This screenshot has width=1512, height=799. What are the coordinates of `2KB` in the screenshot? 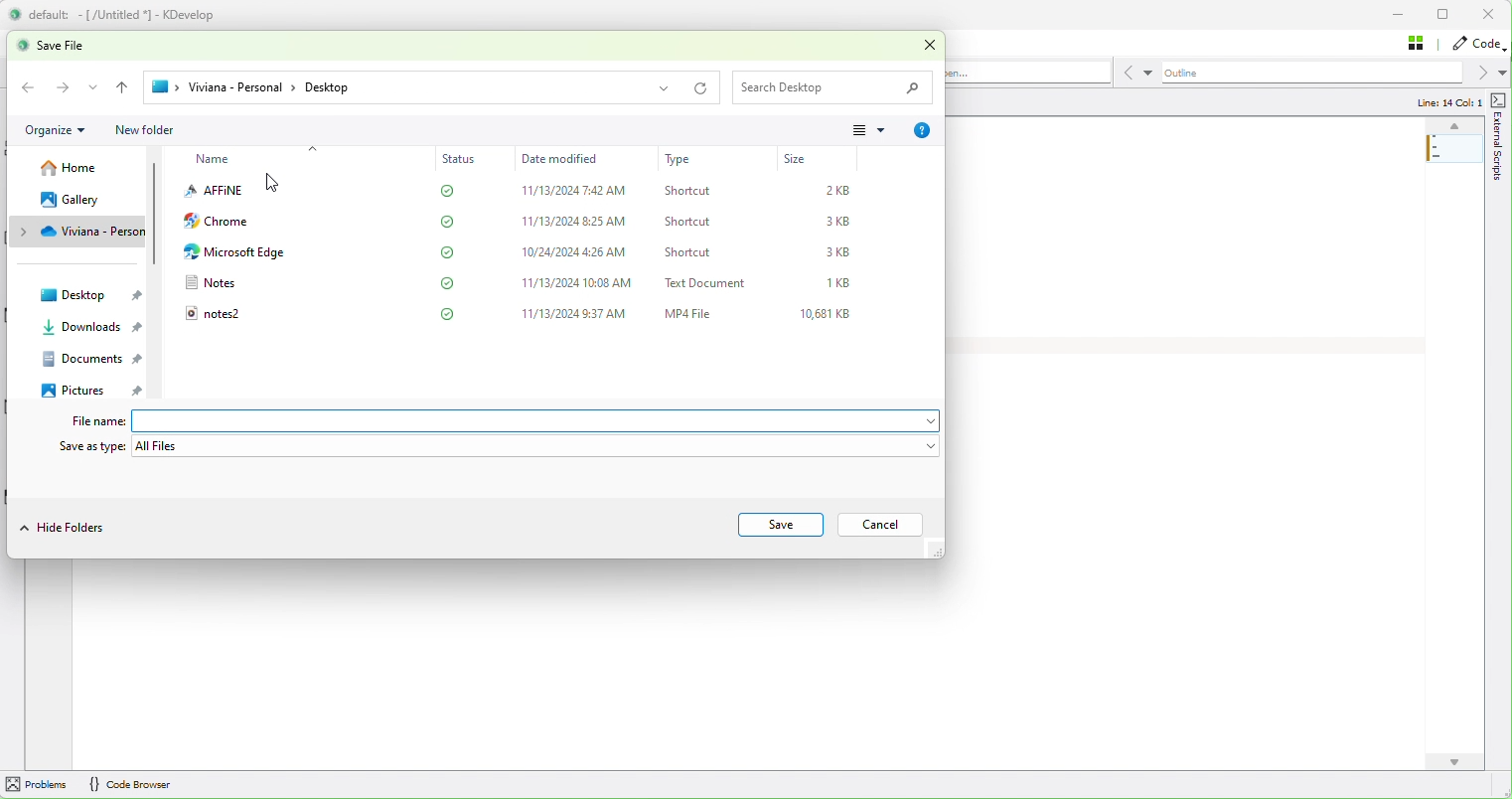 It's located at (843, 190).